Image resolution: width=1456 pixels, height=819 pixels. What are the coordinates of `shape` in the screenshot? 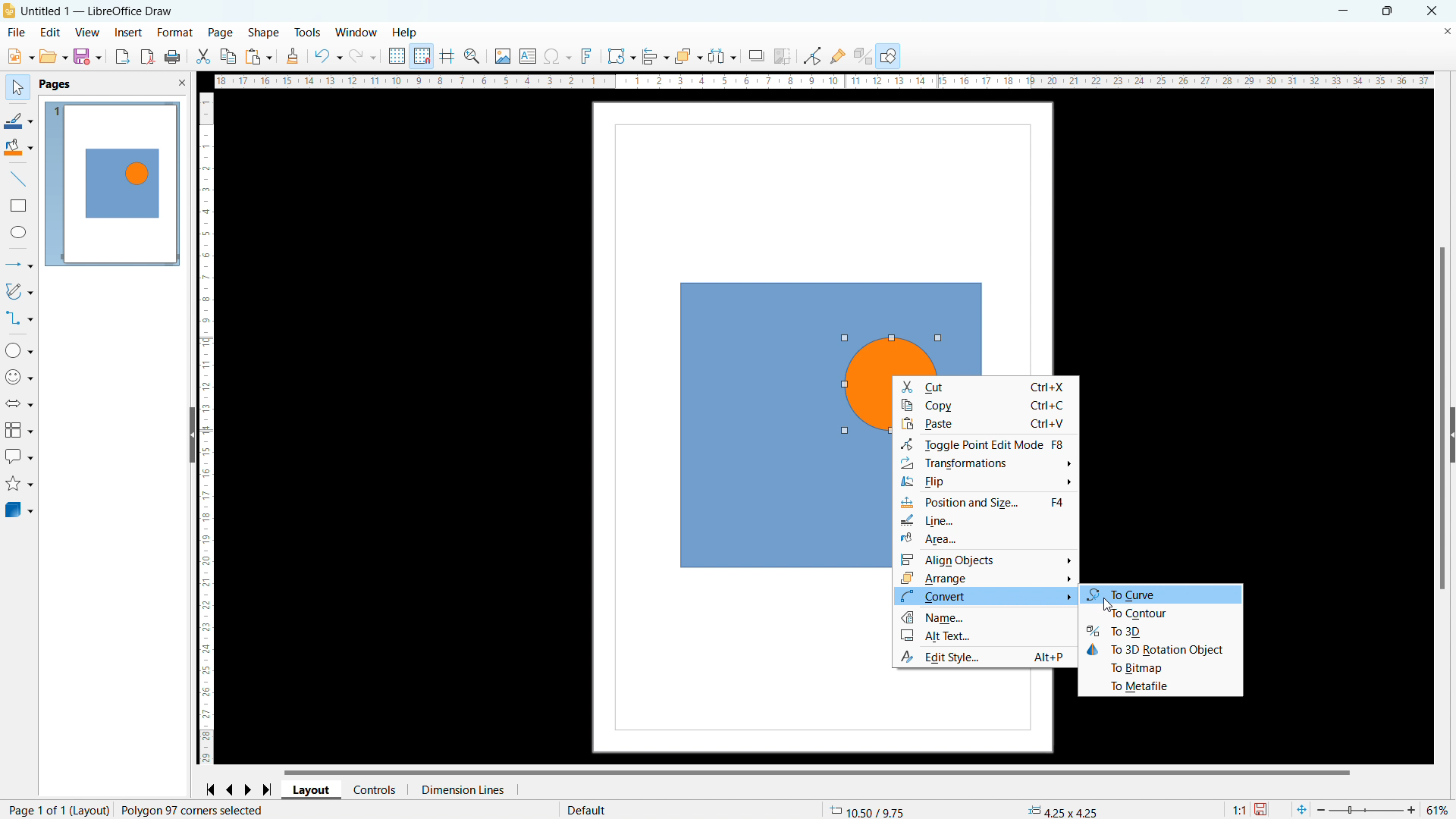 It's located at (264, 33).